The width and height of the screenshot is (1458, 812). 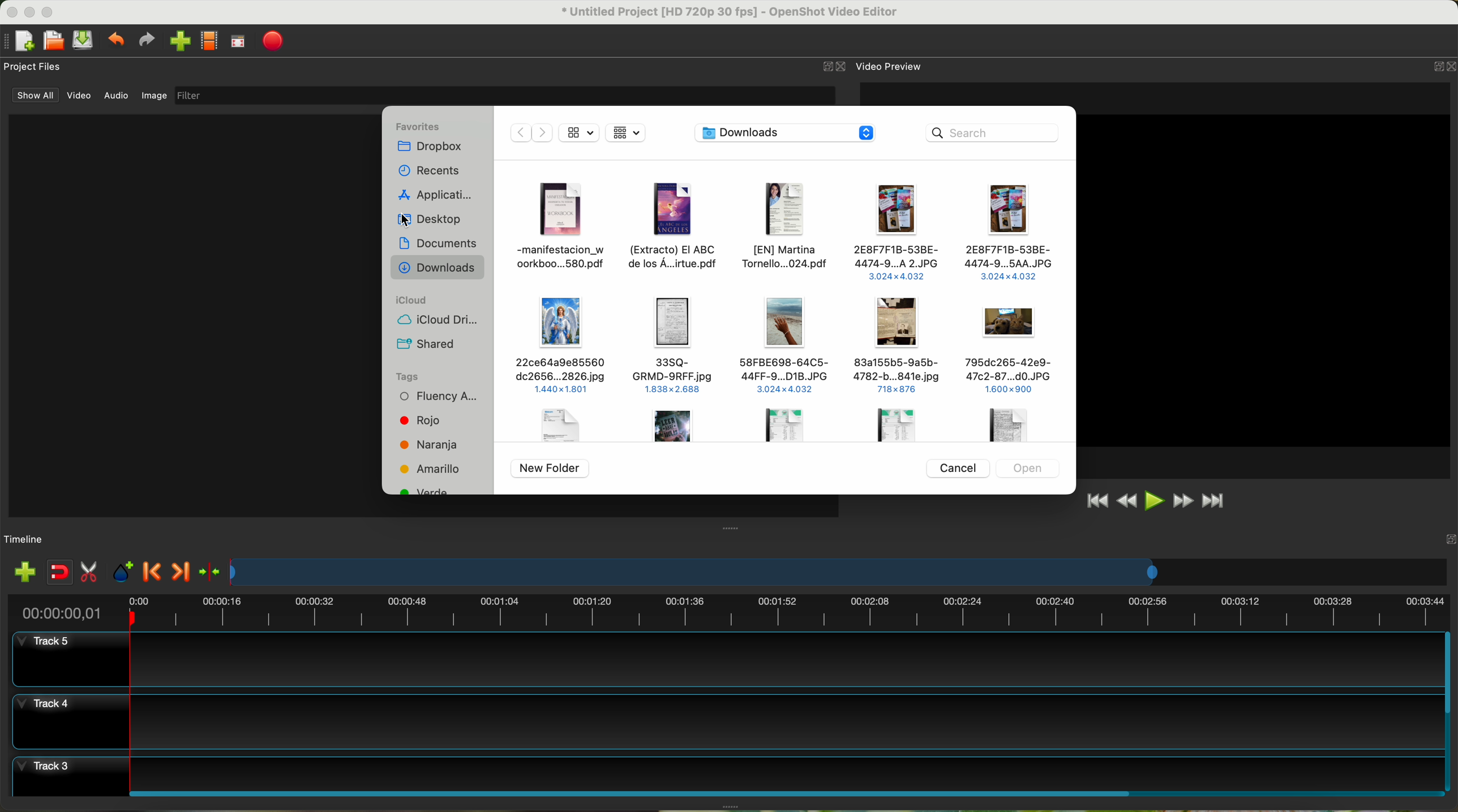 What do you see at coordinates (1096, 500) in the screenshot?
I see `jump to start` at bounding box center [1096, 500].